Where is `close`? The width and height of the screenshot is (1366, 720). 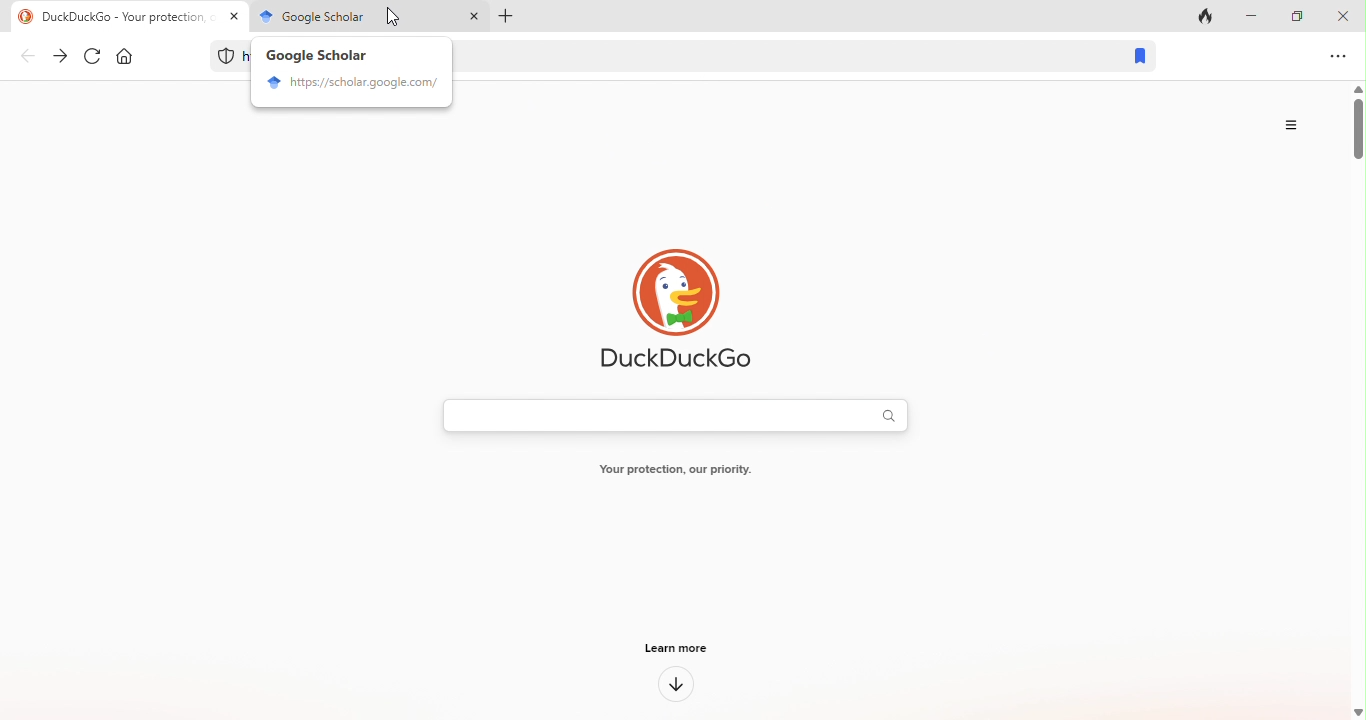
close is located at coordinates (473, 18).